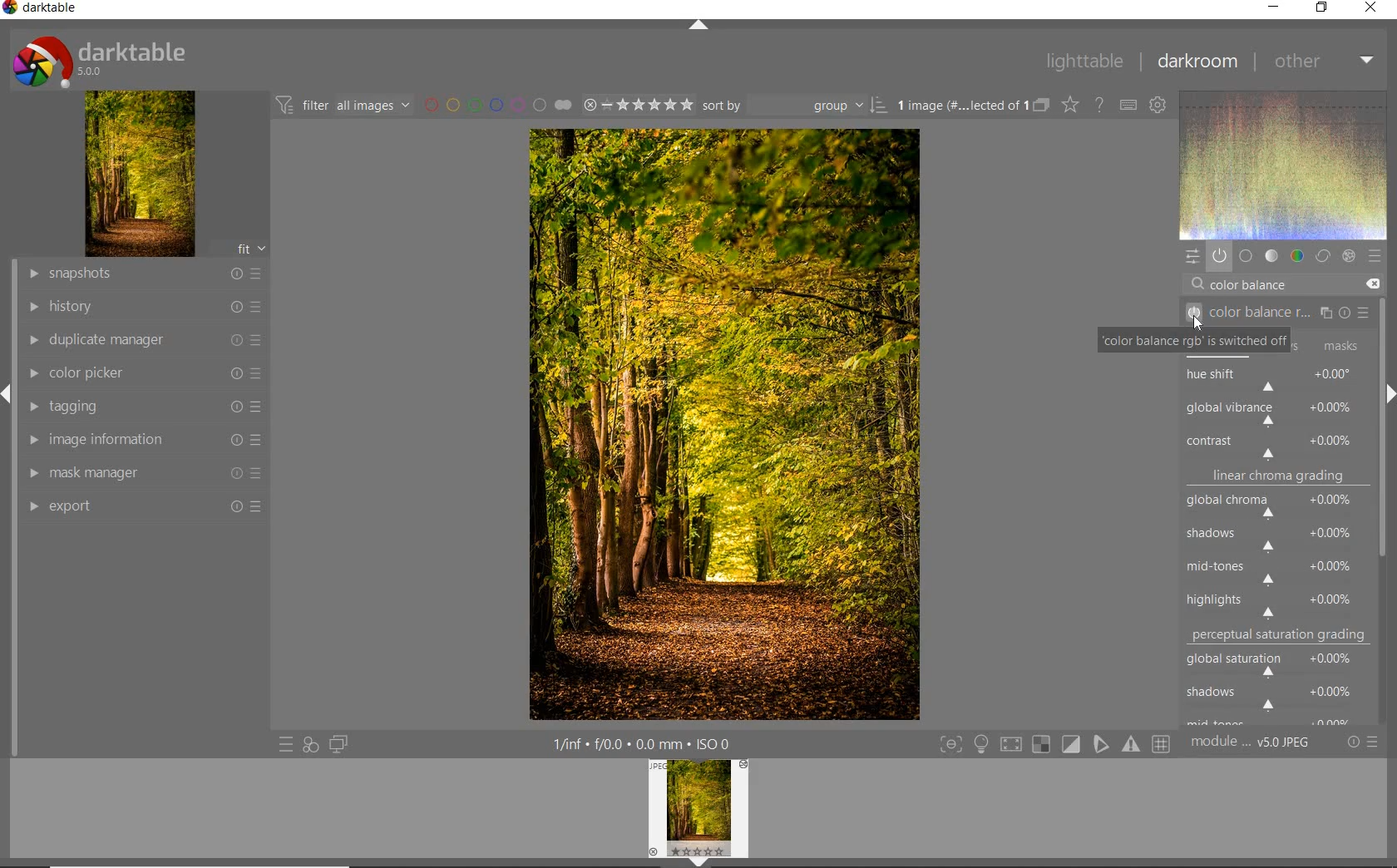  What do you see at coordinates (146, 473) in the screenshot?
I see `mask manager` at bounding box center [146, 473].